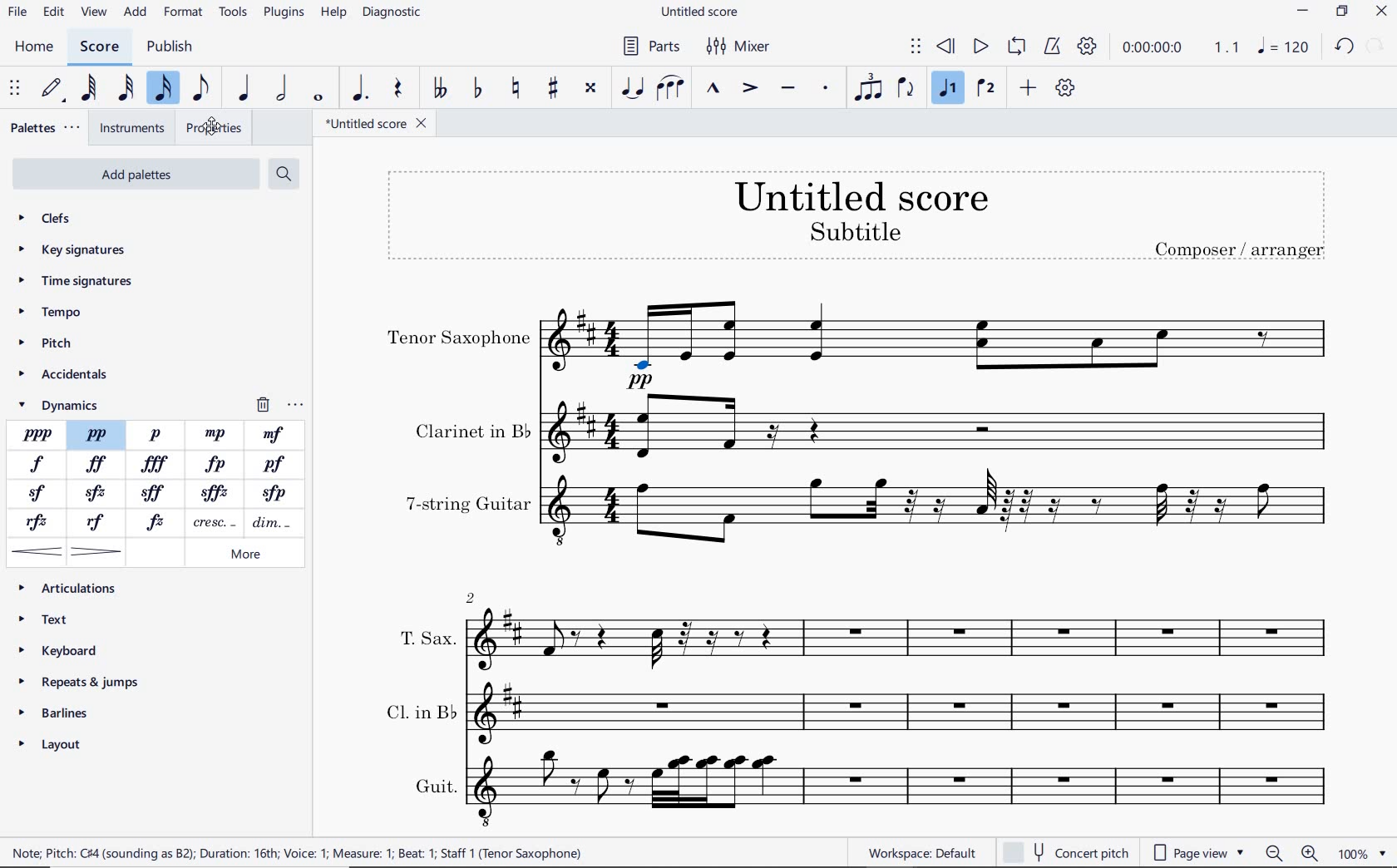 The image size is (1397, 868). Describe the element at coordinates (65, 218) in the screenshot. I see `clefs` at that location.